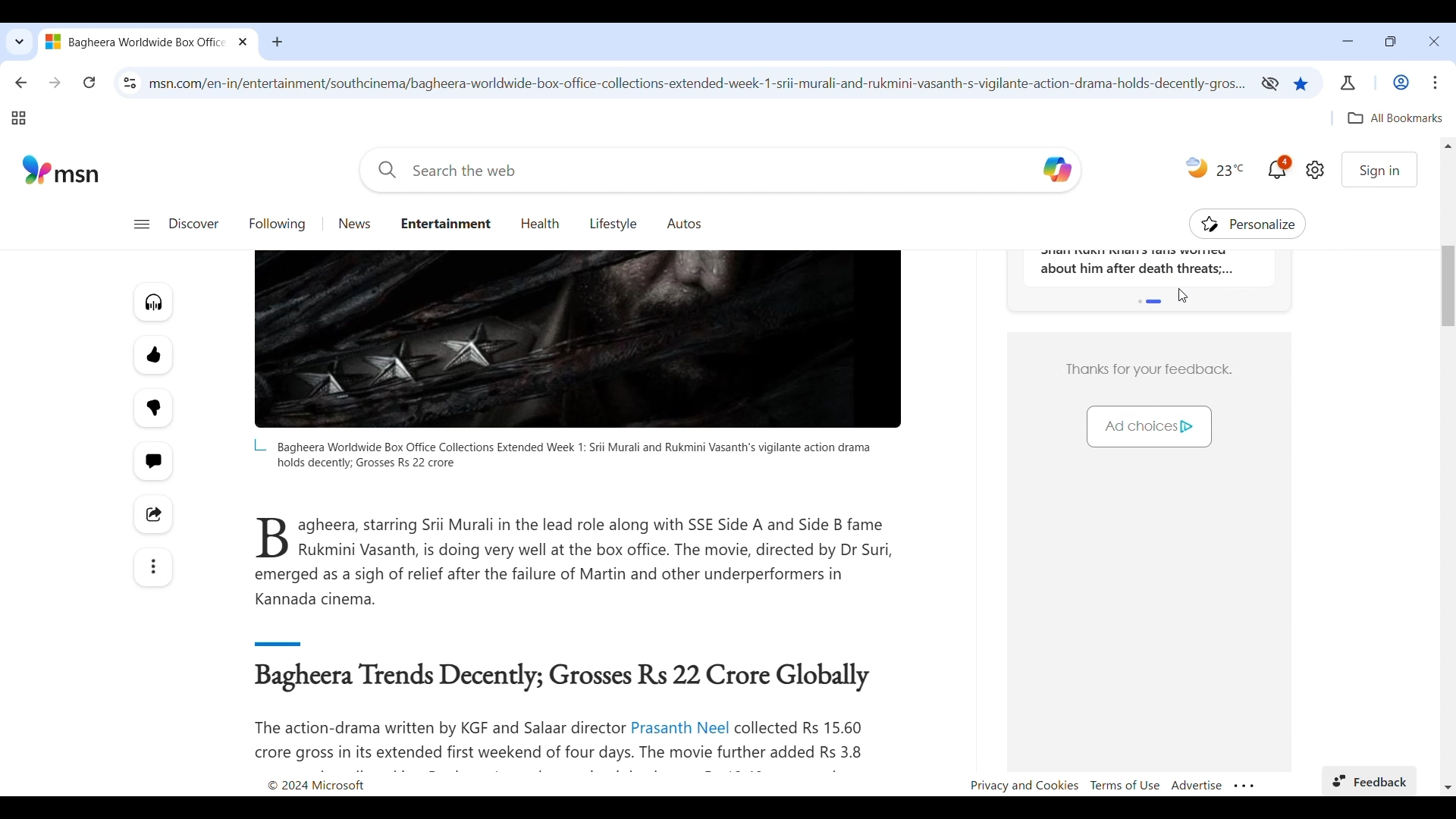 The height and width of the screenshot is (819, 1456). What do you see at coordinates (153, 302) in the screenshot?
I see `Listen to this article` at bounding box center [153, 302].